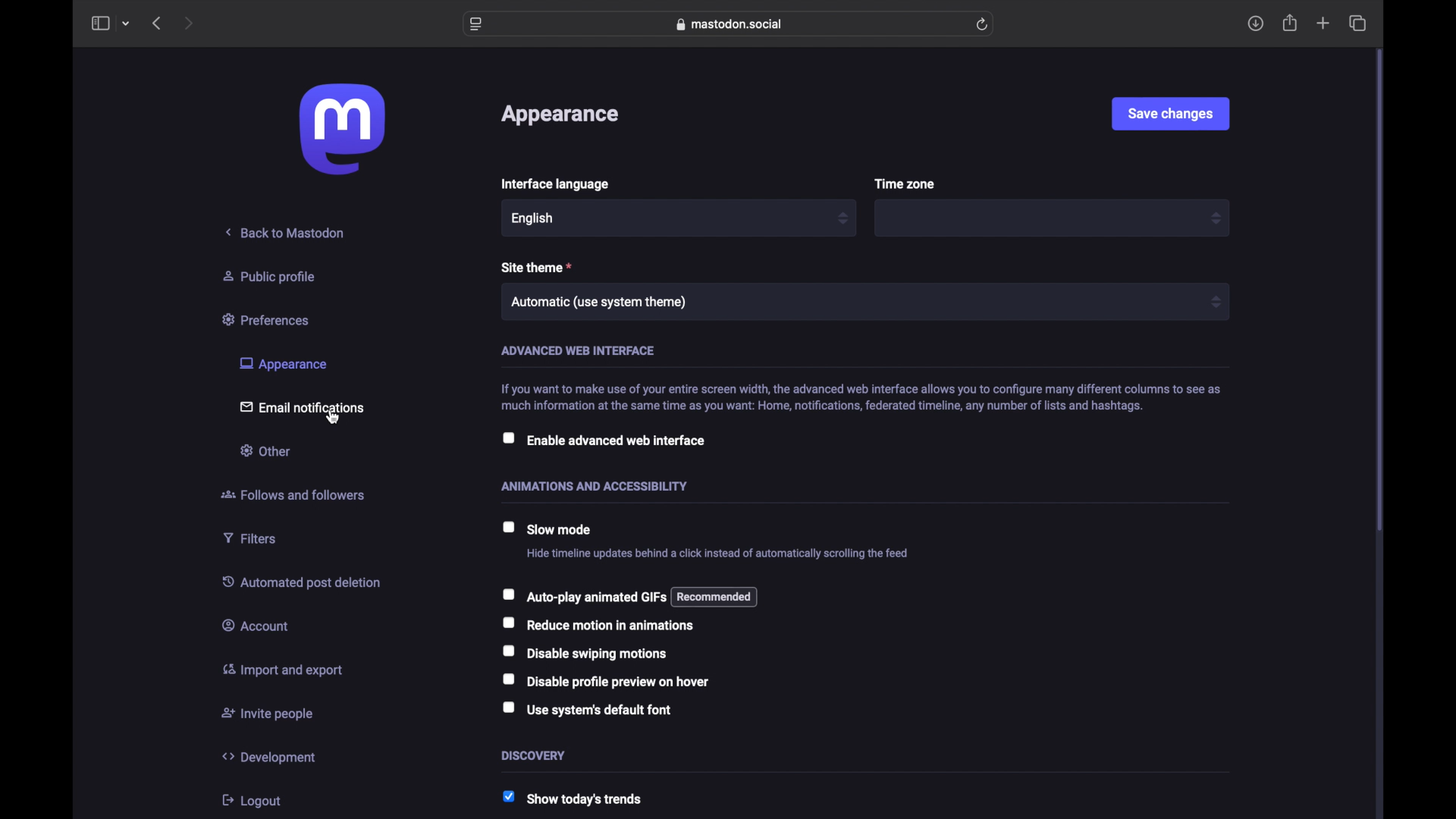  I want to click on logout, so click(250, 800).